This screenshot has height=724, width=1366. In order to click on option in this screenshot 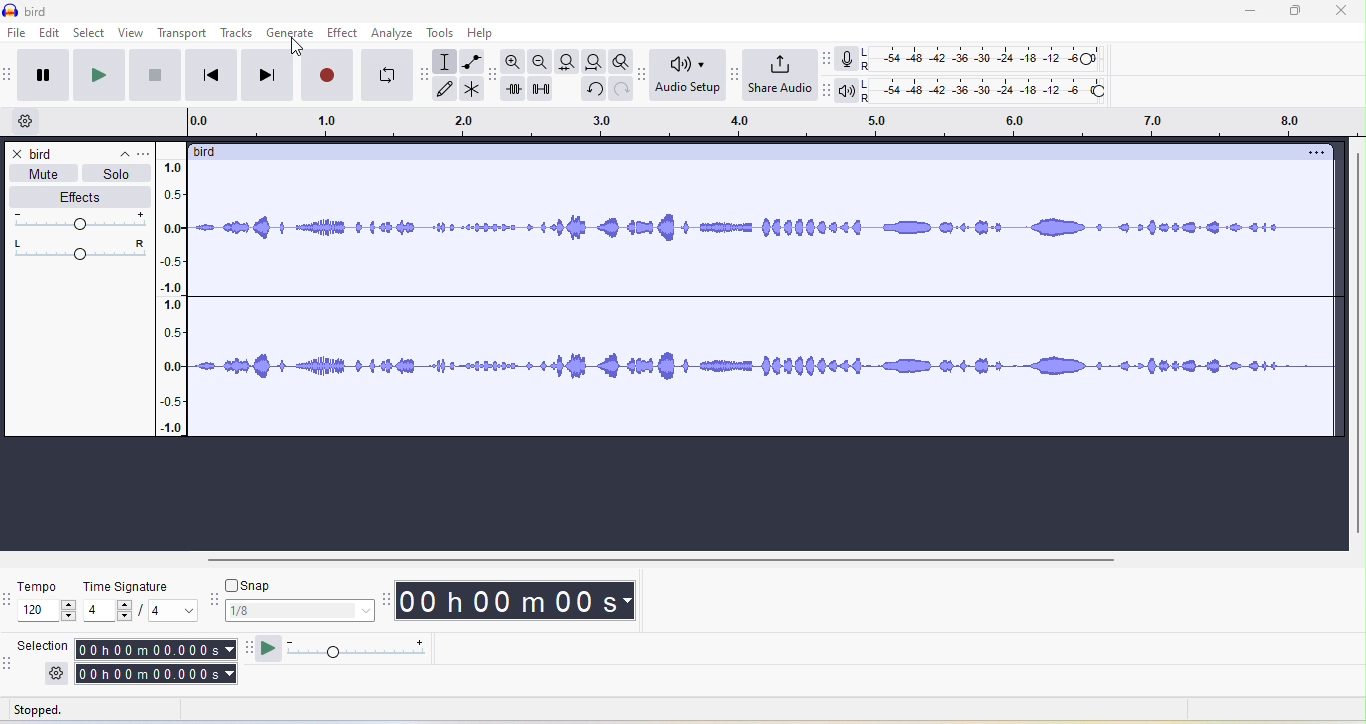, I will do `click(1313, 154)`.